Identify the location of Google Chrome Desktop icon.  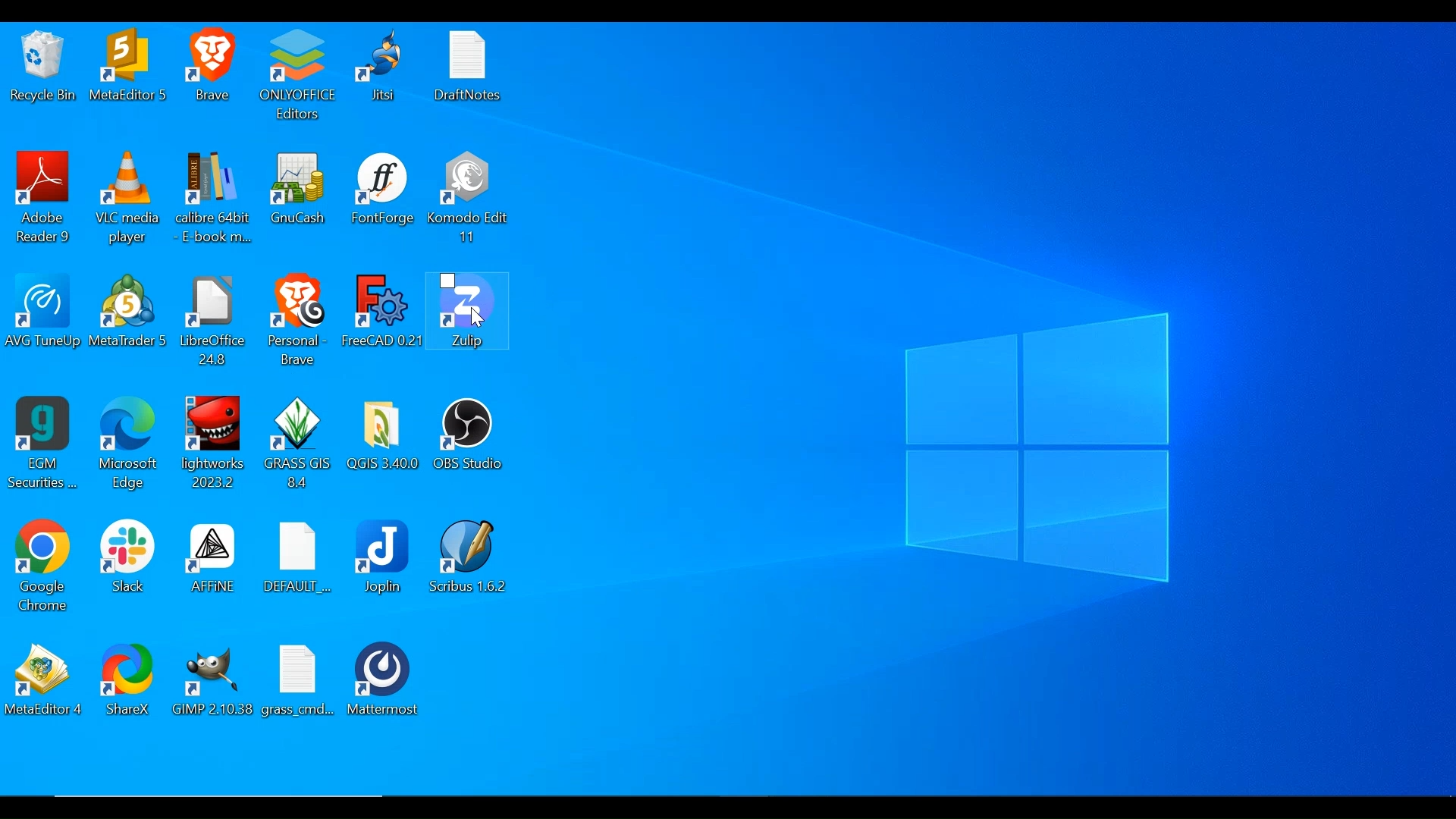
(47, 565).